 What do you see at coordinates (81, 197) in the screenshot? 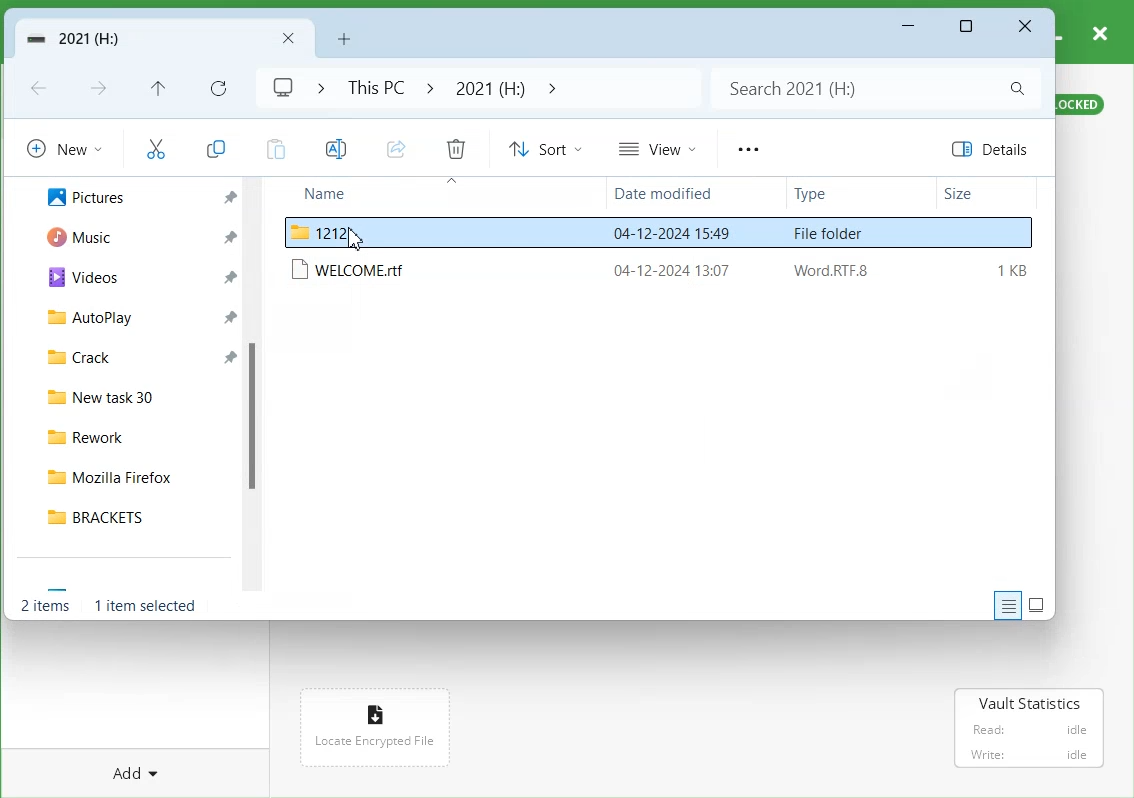
I see `Pictures` at bounding box center [81, 197].